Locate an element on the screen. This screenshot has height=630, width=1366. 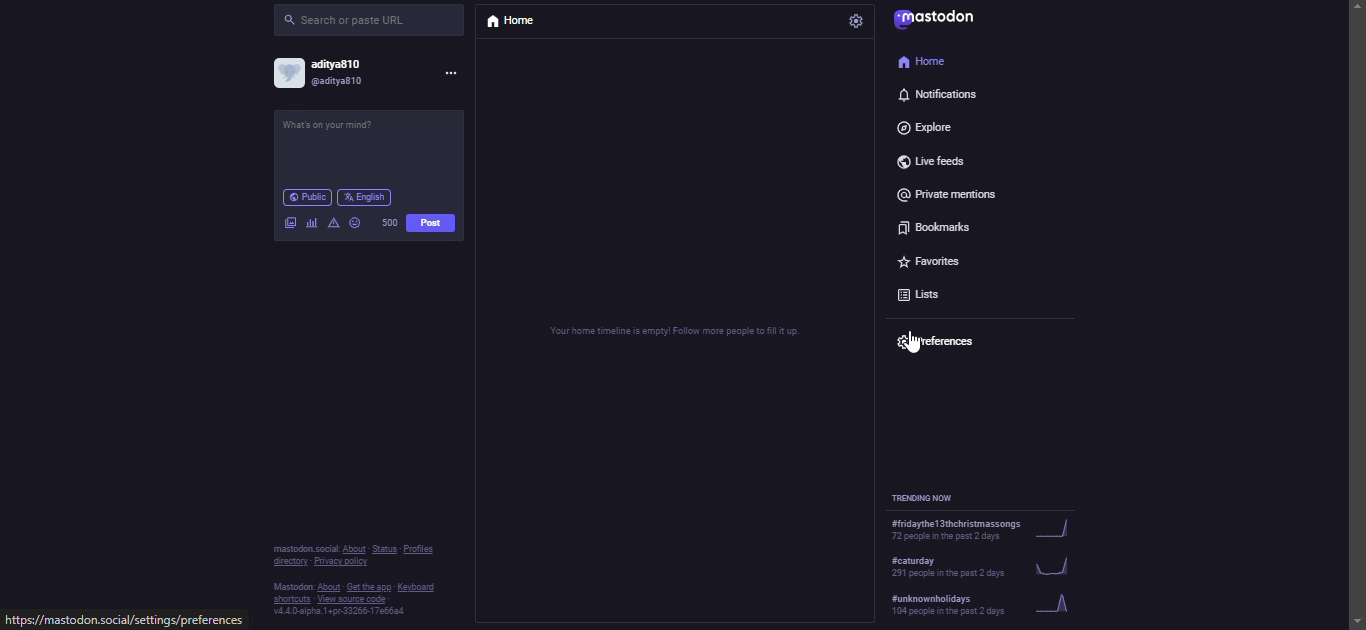
advanced is located at coordinates (334, 221).